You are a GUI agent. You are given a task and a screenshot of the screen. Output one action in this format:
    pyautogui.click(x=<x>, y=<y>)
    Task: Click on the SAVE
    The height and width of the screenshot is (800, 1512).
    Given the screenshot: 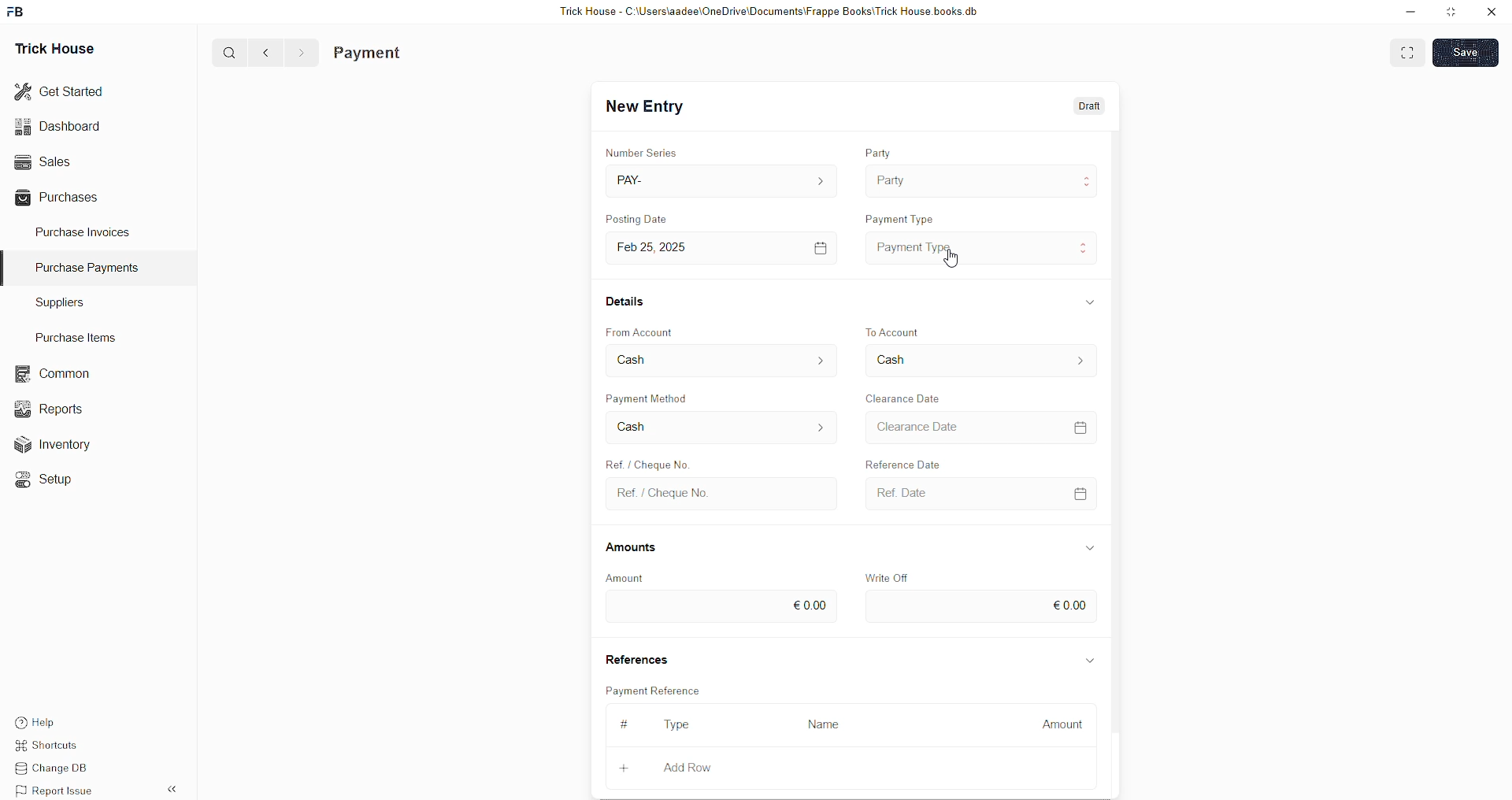 What is the action you would take?
    pyautogui.click(x=1469, y=51)
    